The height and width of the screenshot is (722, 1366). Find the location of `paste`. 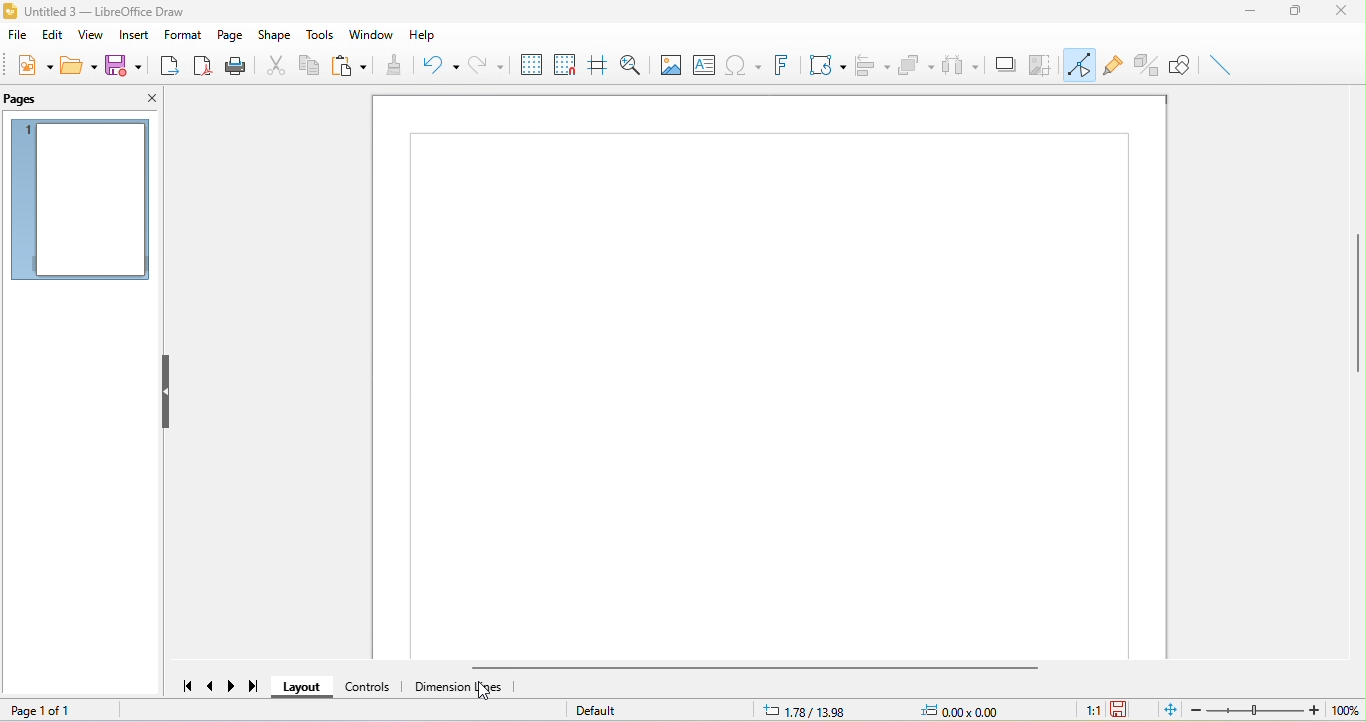

paste is located at coordinates (348, 67).